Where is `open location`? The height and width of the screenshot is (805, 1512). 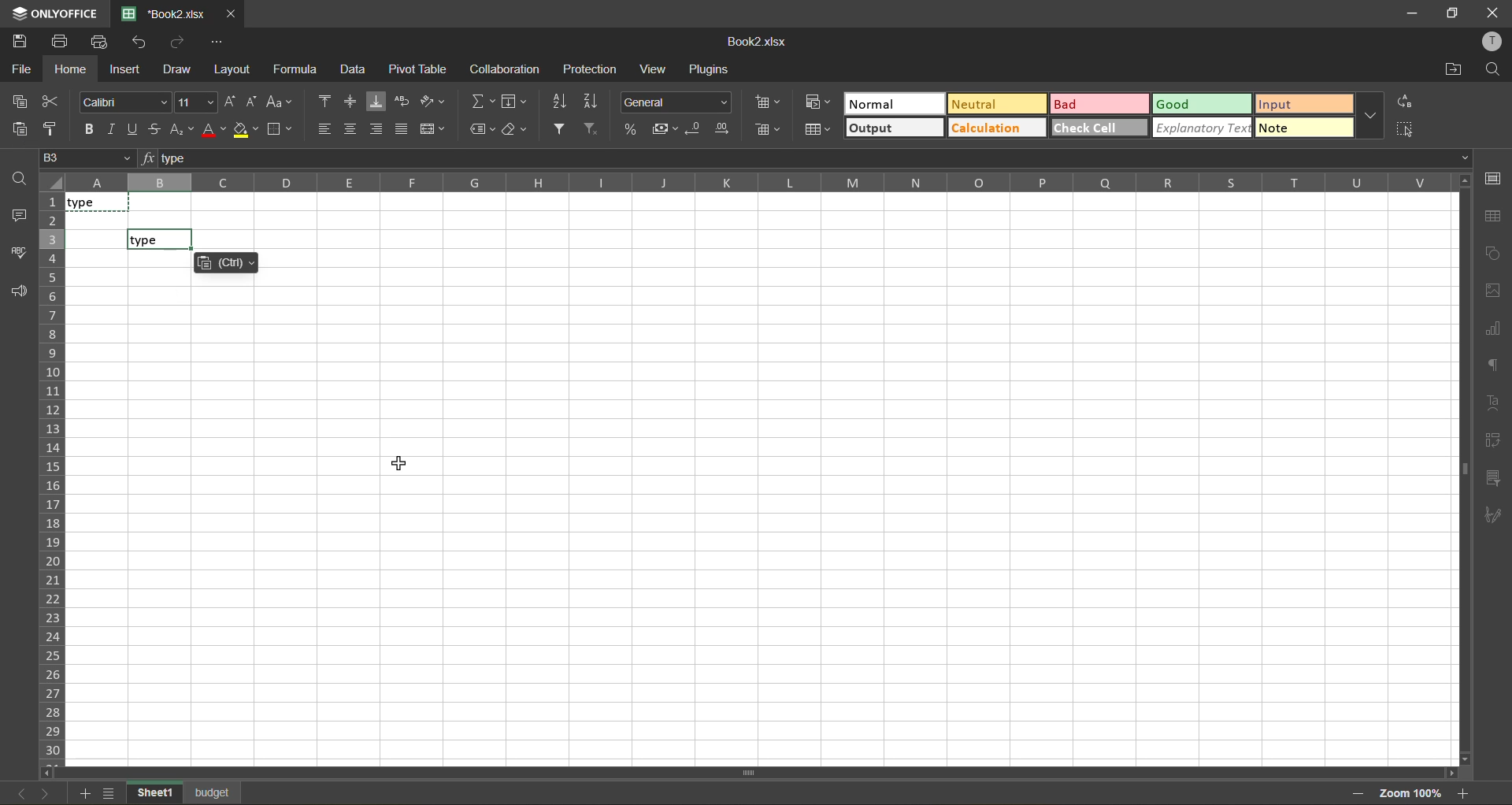 open location is located at coordinates (1450, 72).